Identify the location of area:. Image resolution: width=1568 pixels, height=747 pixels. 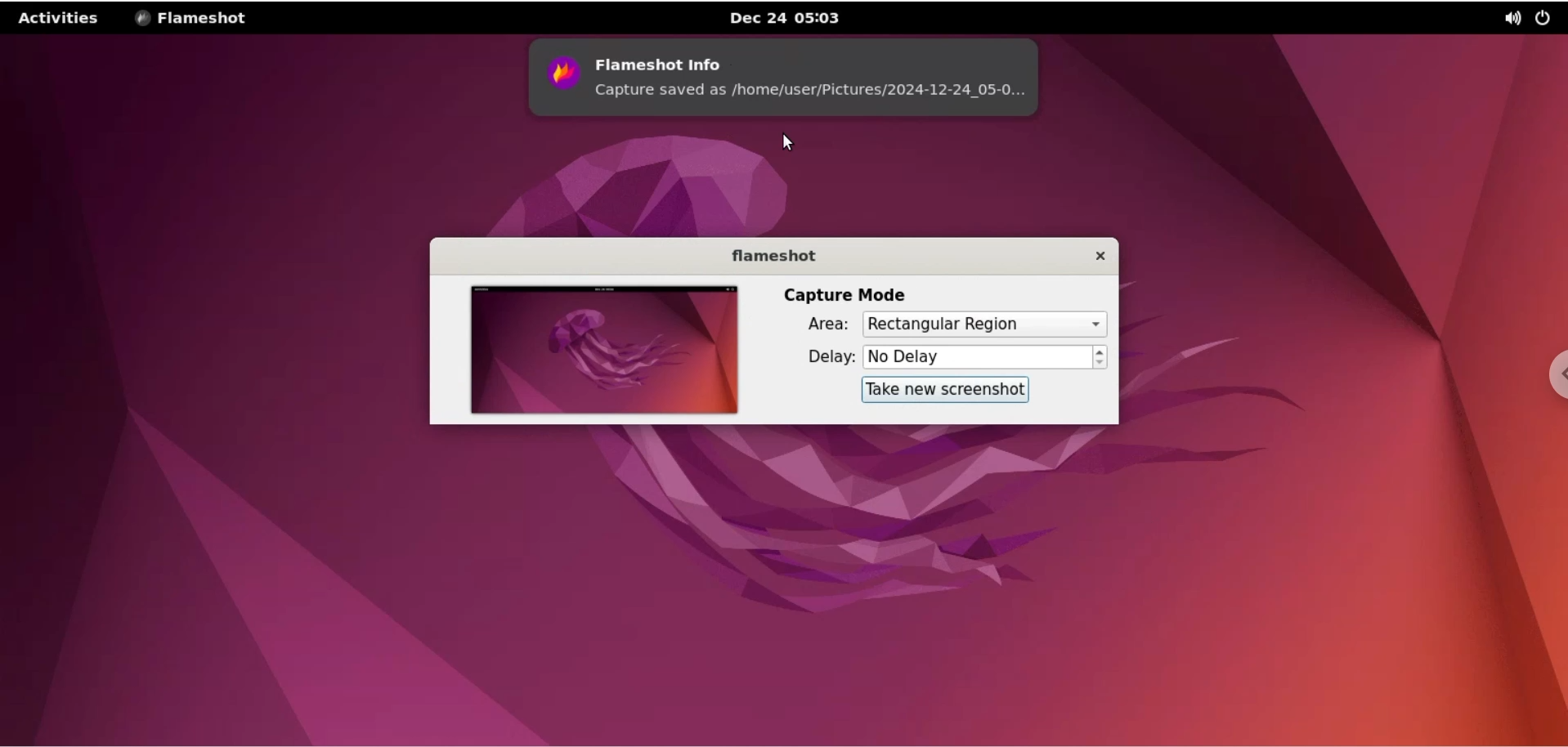
(821, 324).